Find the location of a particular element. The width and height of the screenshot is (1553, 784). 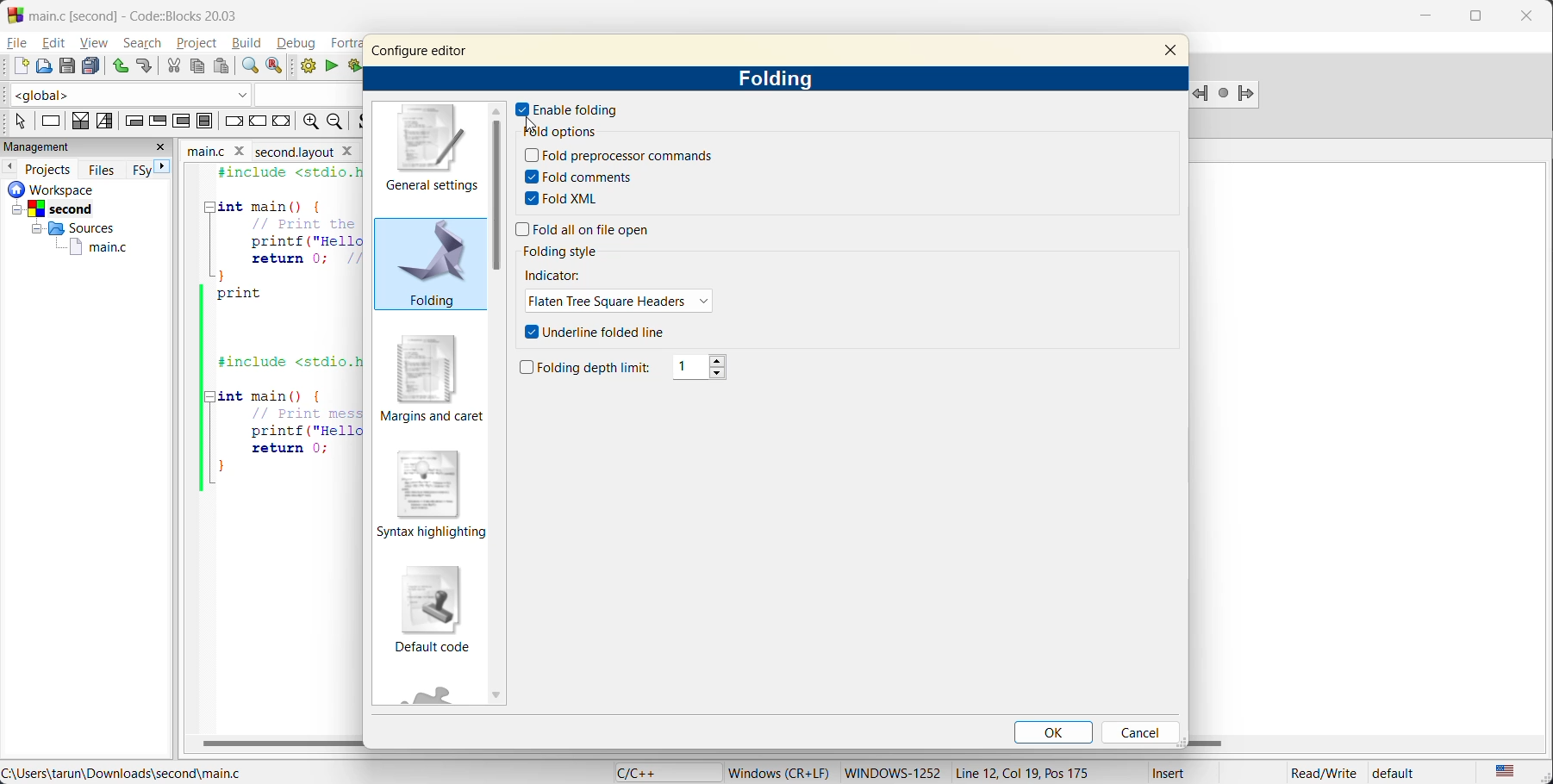

folding depth limit is located at coordinates (589, 366).